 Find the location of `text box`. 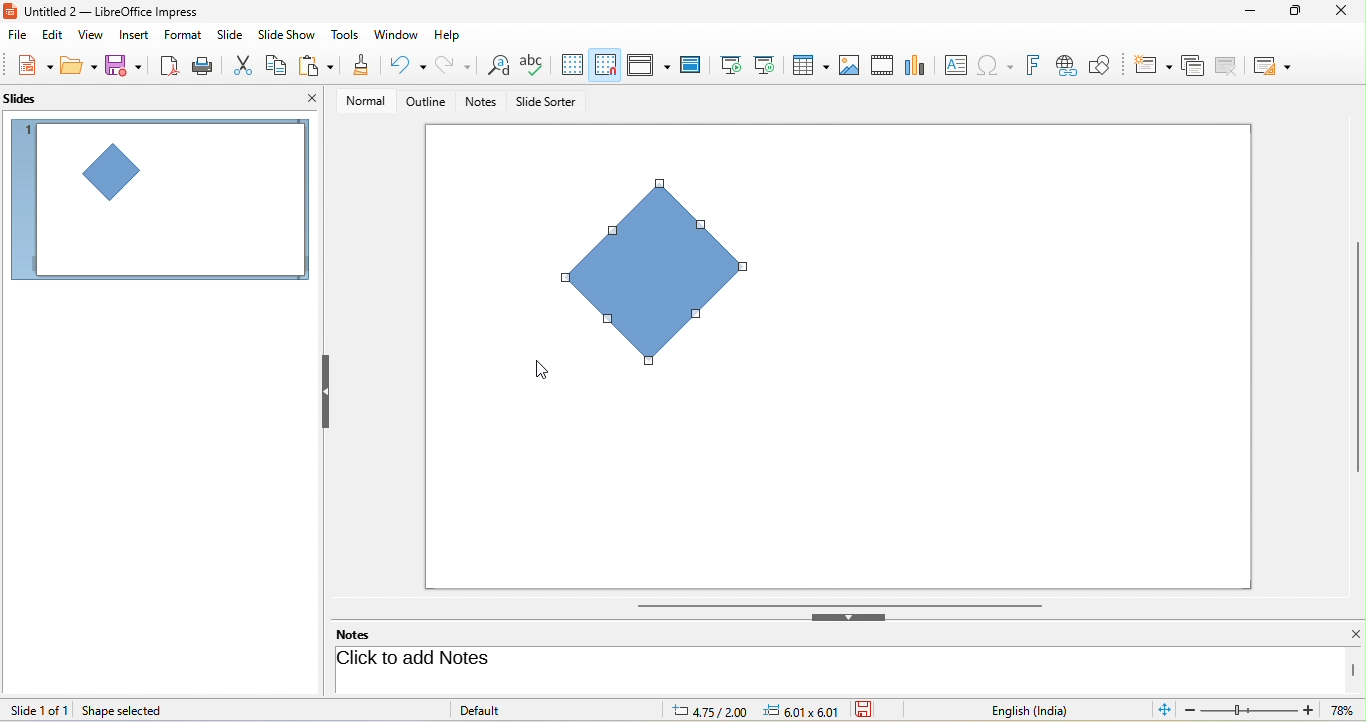

text box is located at coordinates (953, 65).